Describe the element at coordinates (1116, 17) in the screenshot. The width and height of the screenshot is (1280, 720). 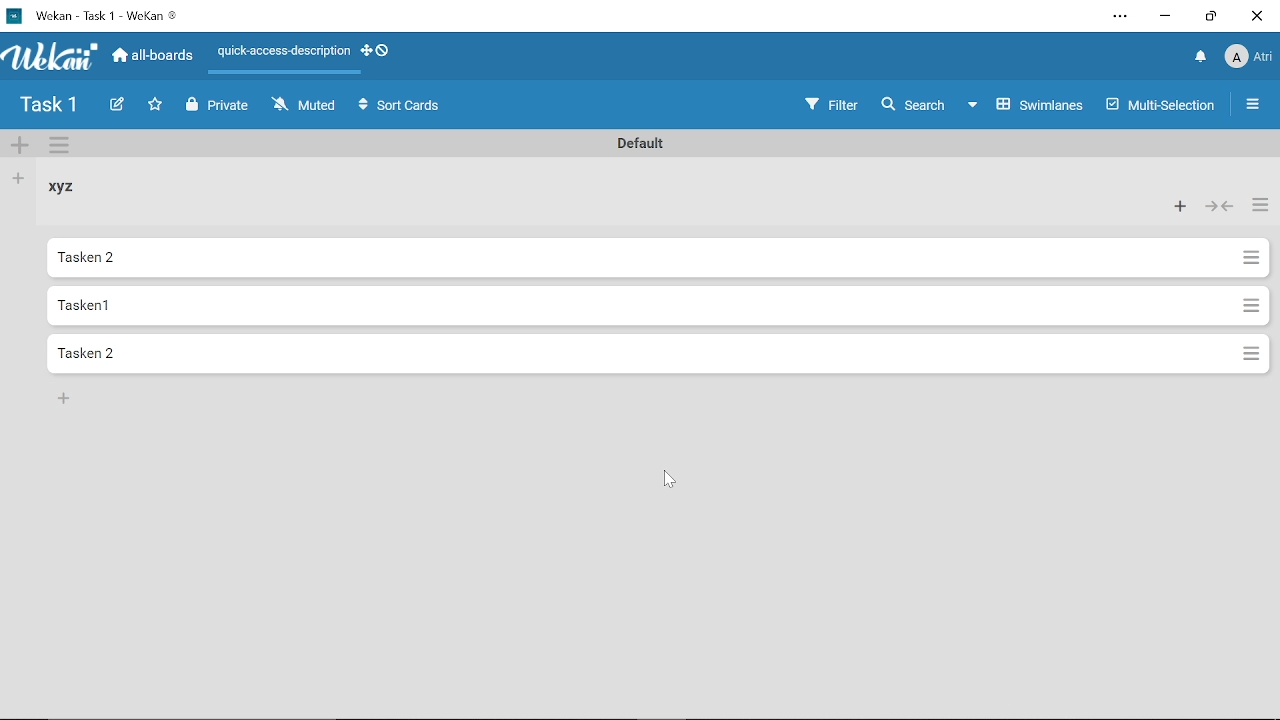
I see `Settings and more` at that location.